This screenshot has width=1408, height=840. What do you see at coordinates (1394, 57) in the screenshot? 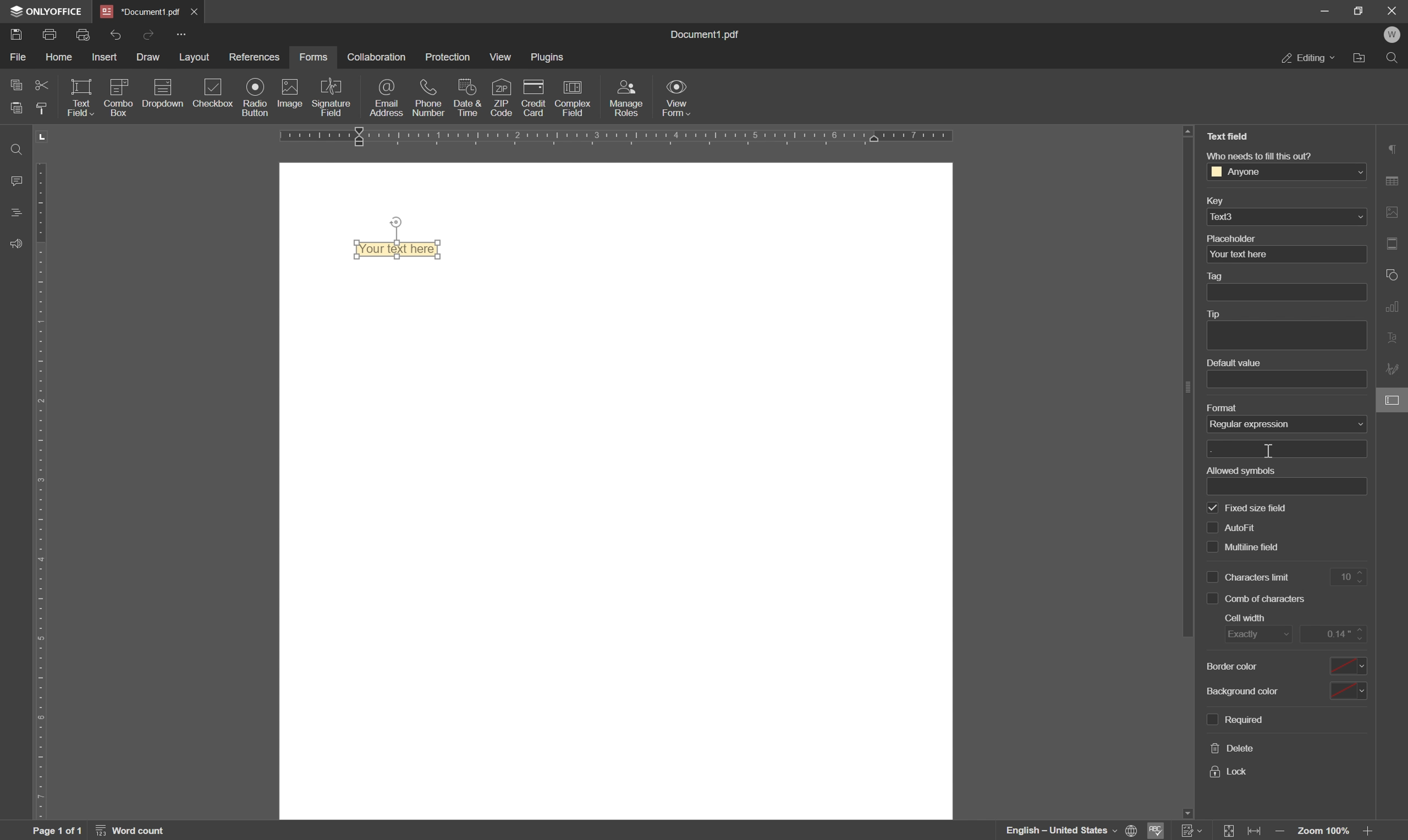
I see `find` at bounding box center [1394, 57].